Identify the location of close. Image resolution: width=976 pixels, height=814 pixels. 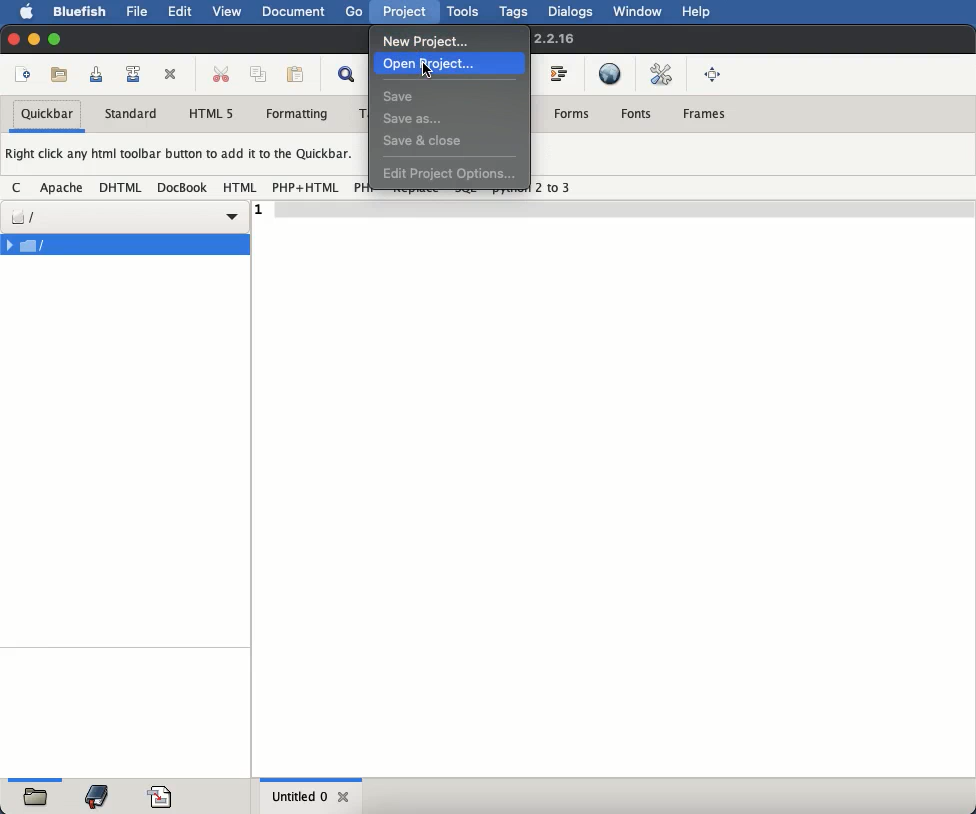
(346, 798).